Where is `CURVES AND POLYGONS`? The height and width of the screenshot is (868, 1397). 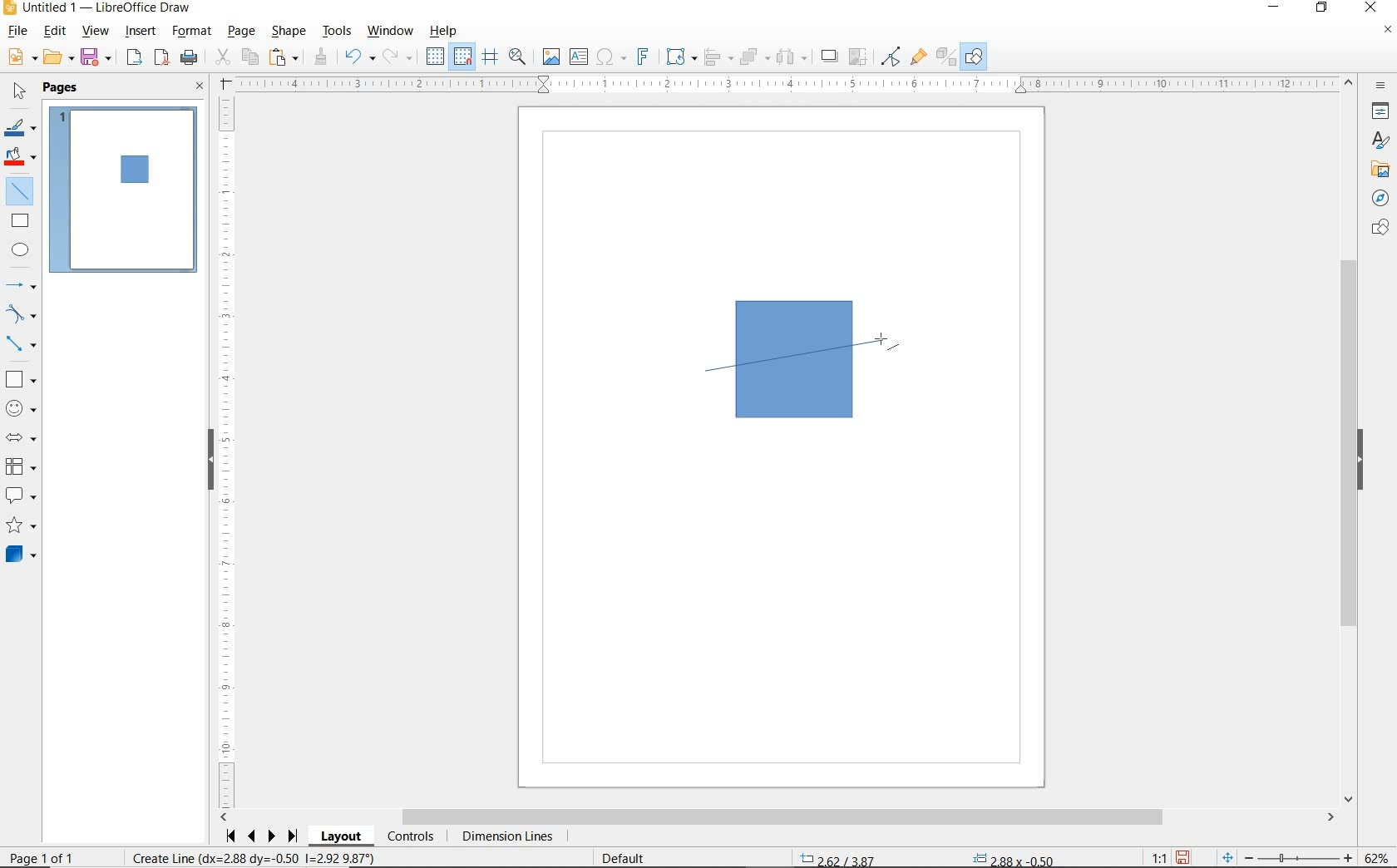
CURVES AND POLYGONS is located at coordinates (22, 313).